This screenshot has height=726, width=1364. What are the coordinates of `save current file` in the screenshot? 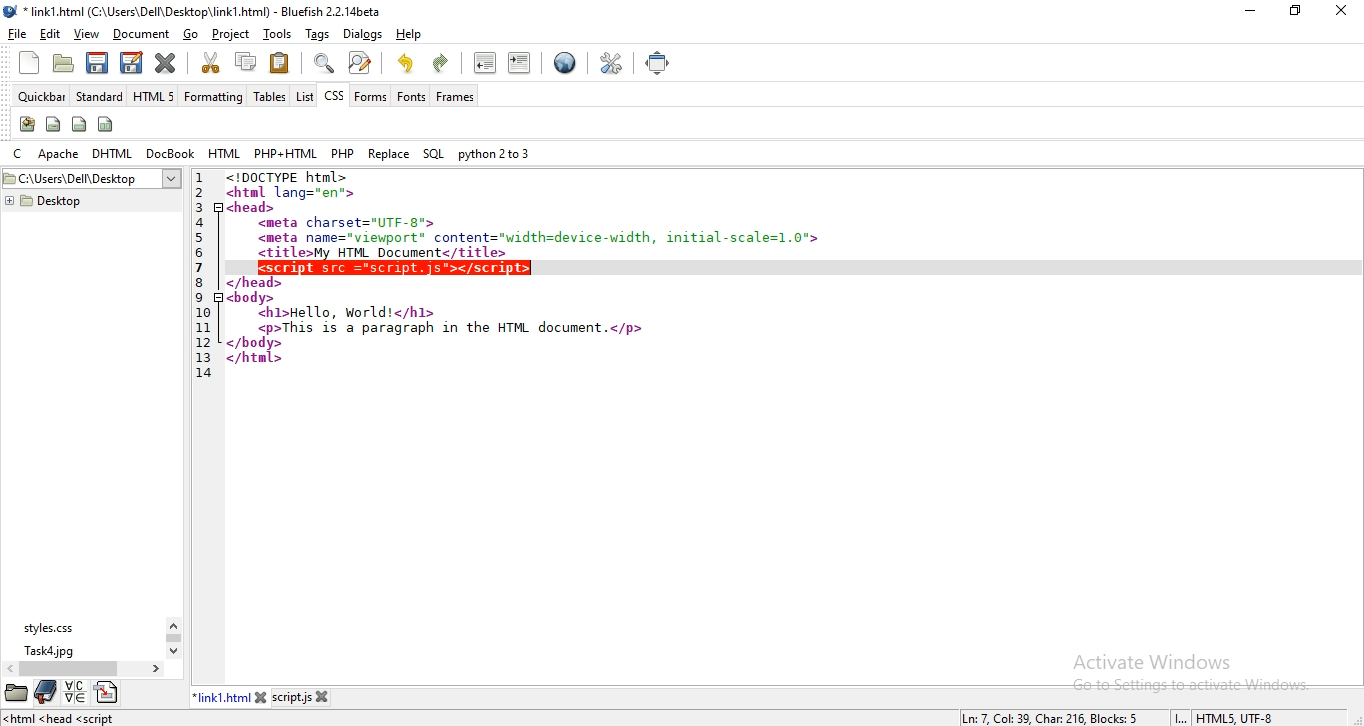 It's located at (96, 64).